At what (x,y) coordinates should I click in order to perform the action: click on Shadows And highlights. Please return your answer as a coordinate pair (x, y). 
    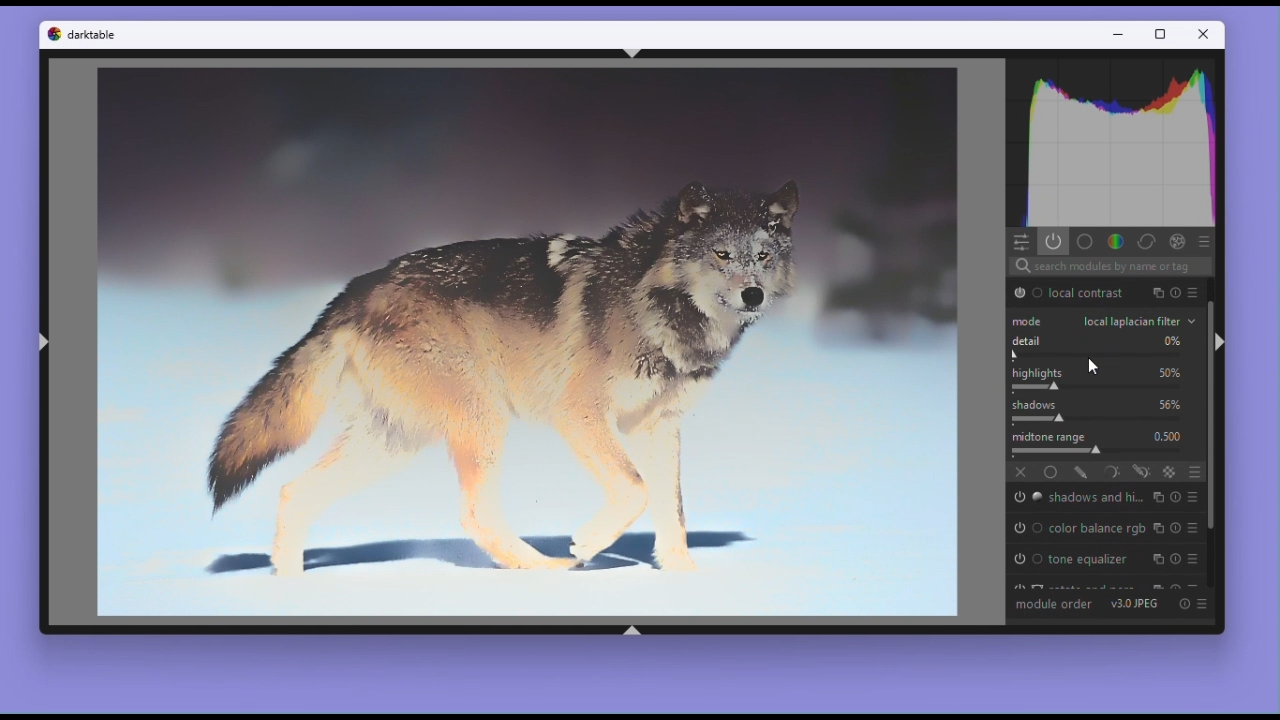
    Looking at the image, I should click on (1094, 498).